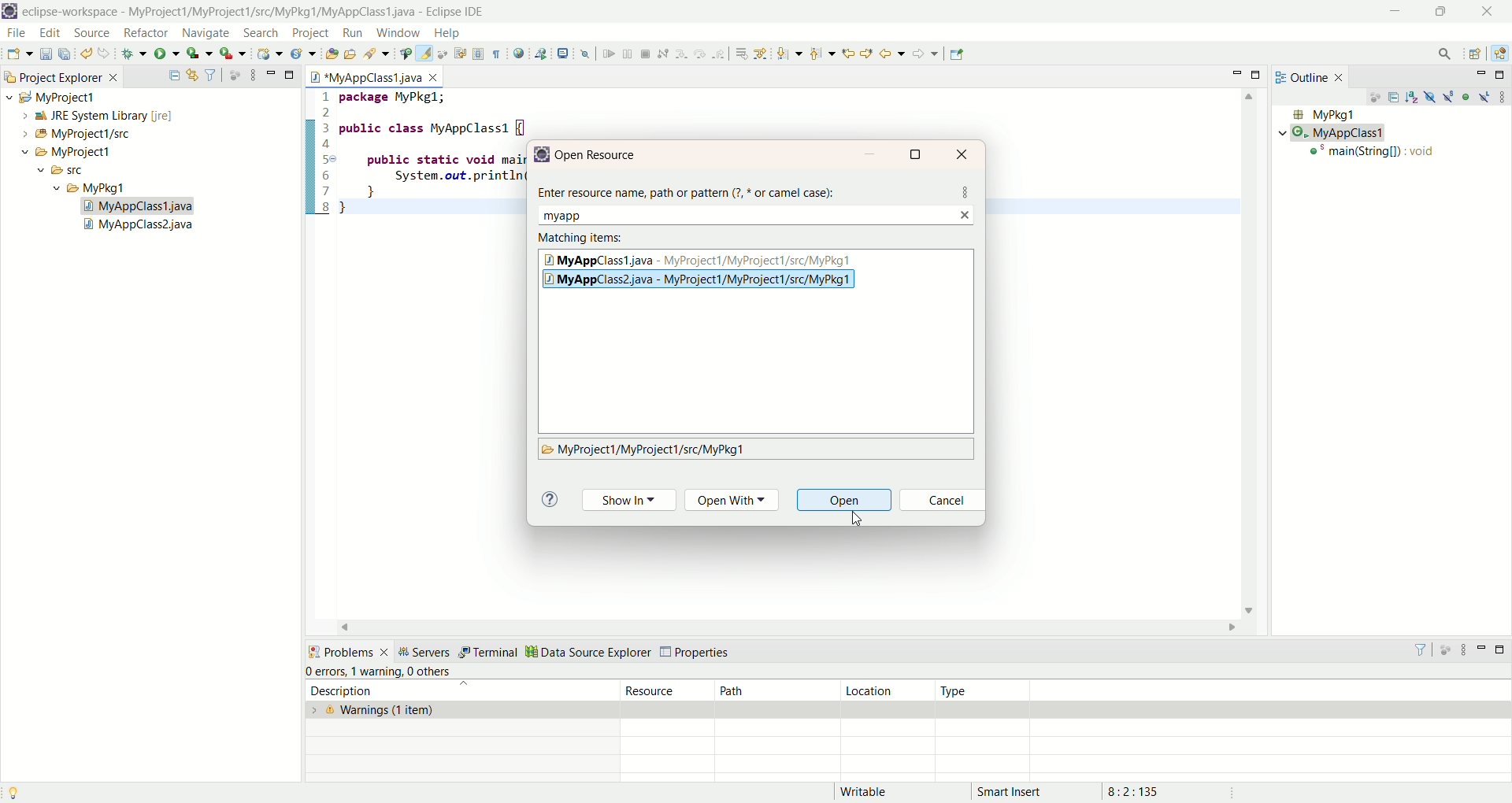  Describe the element at coordinates (942, 502) in the screenshot. I see `cancel` at that location.